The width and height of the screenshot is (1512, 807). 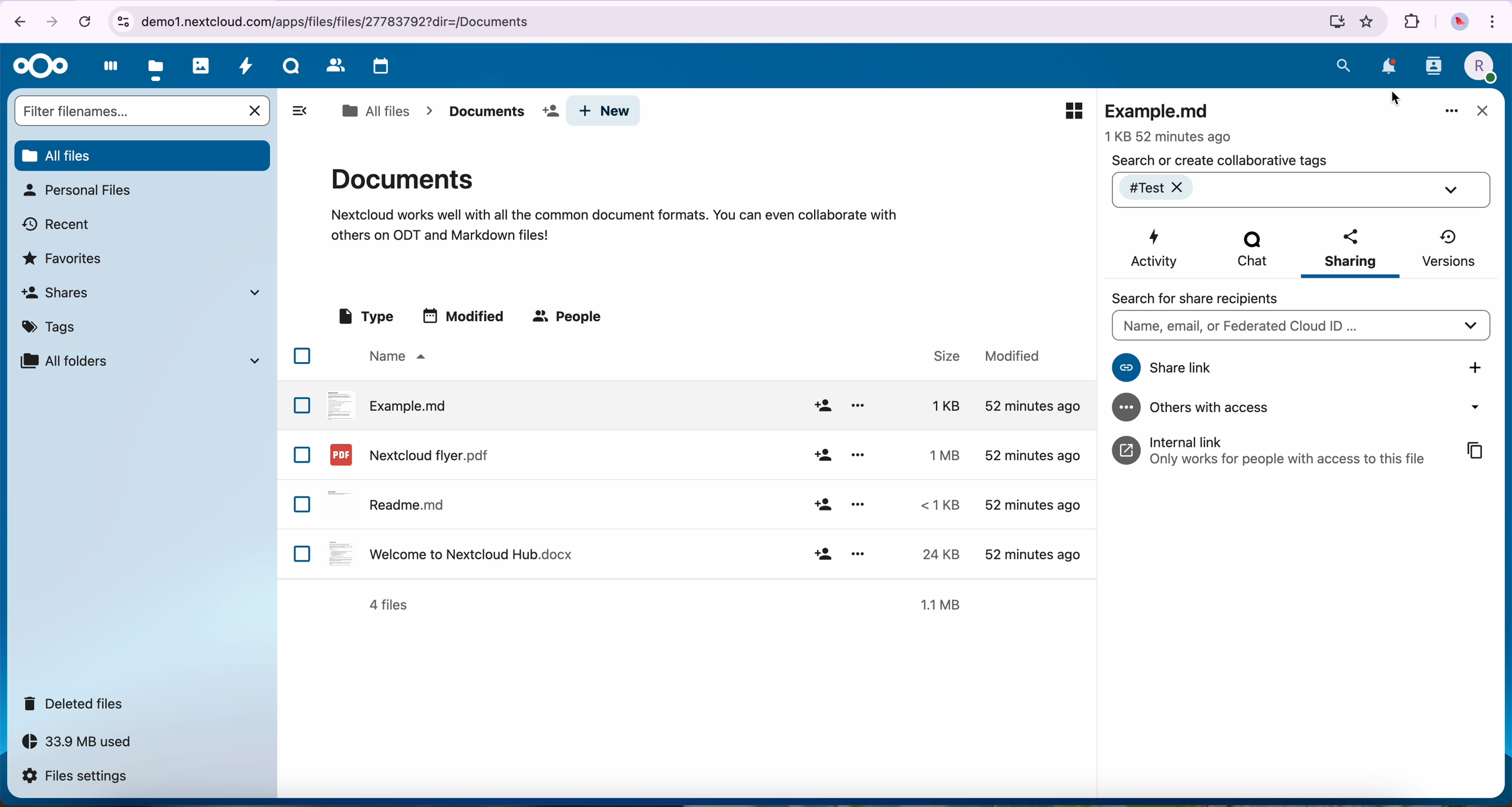 What do you see at coordinates (388, 404) in the screenshot?
I see `example.md` at bounding box center [388, 404].